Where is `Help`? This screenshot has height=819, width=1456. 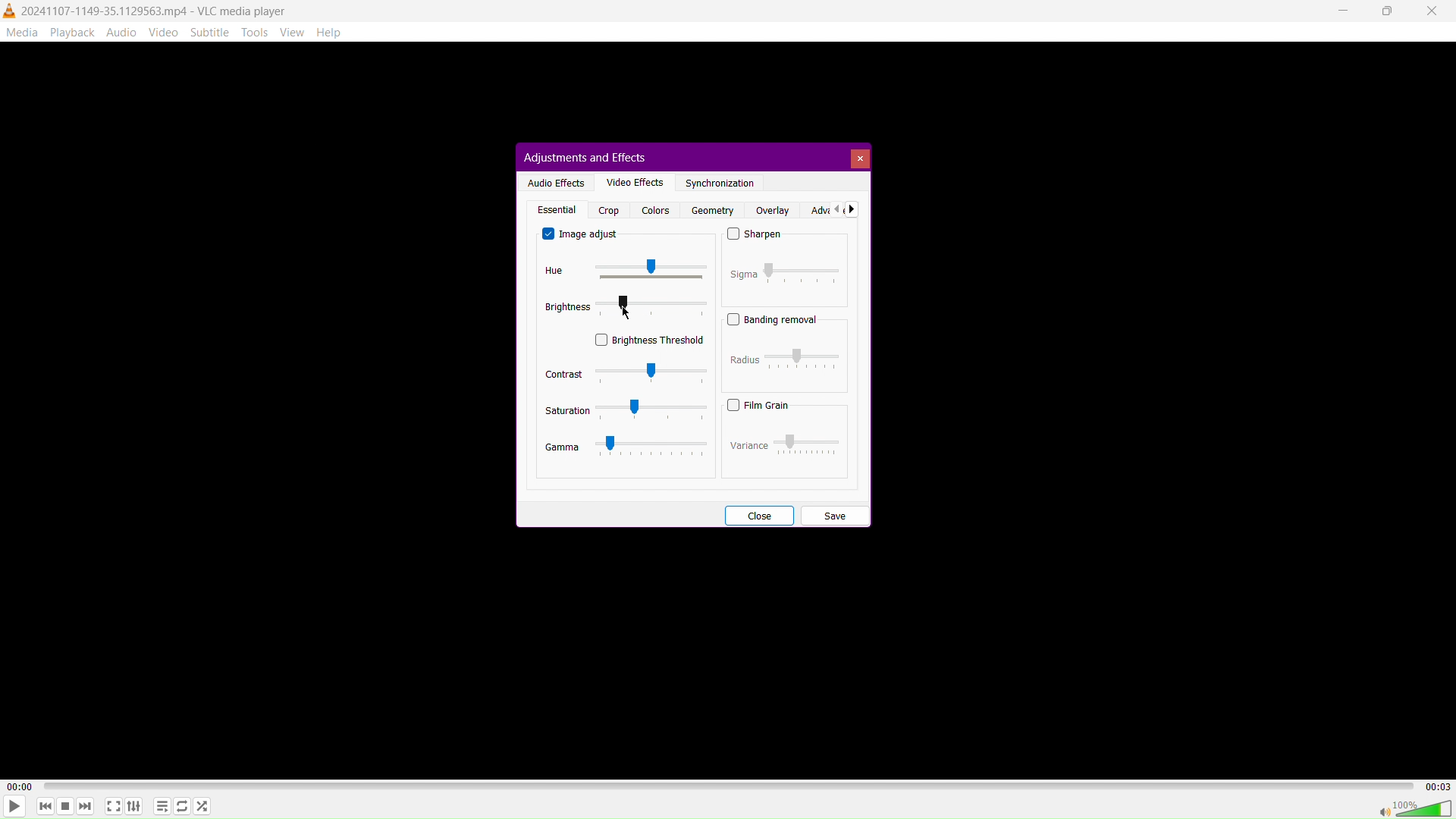 Help is located at coordinates (335, 33).